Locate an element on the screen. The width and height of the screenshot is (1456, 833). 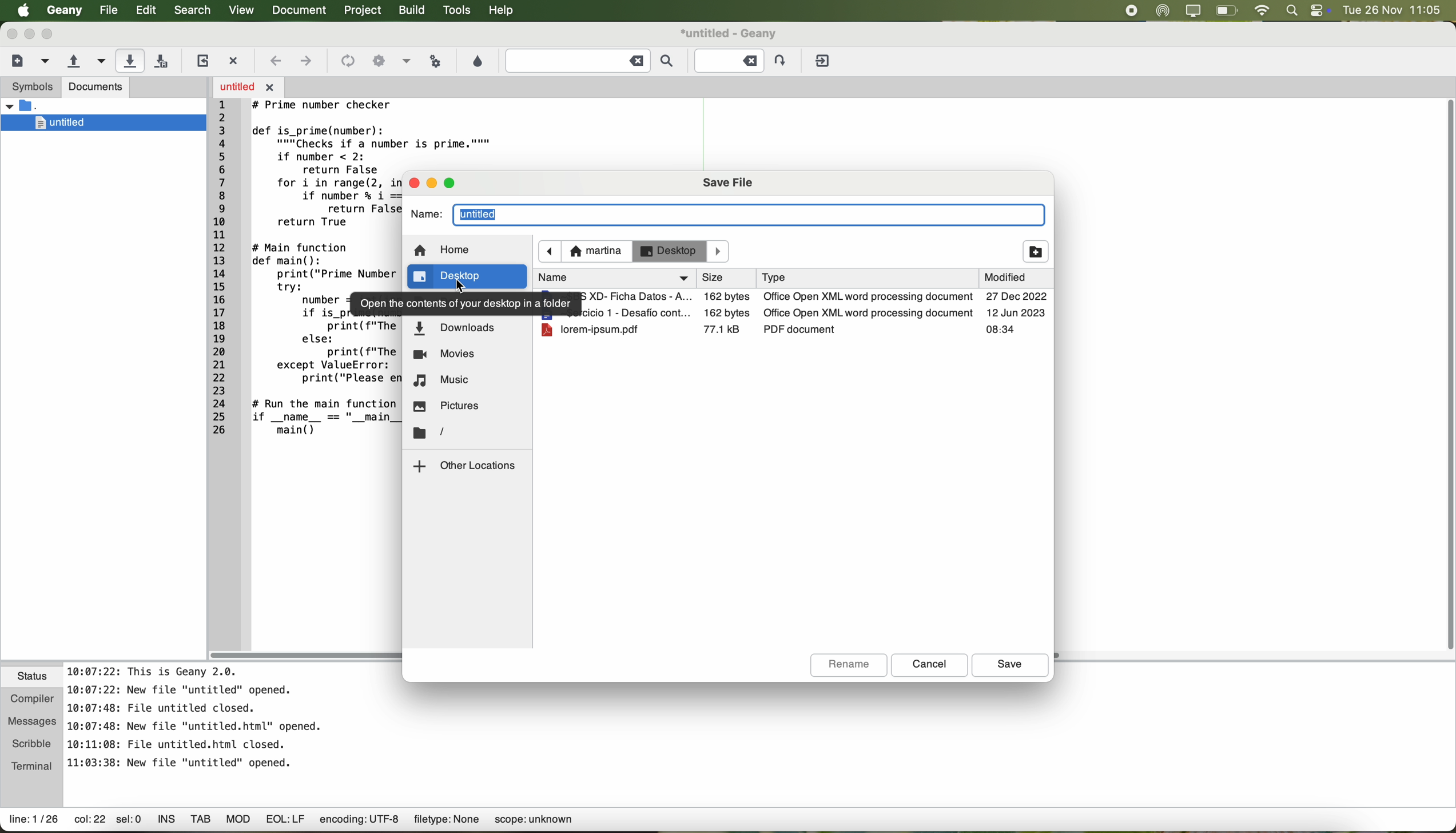
open file is located at coordinates (248, 86).